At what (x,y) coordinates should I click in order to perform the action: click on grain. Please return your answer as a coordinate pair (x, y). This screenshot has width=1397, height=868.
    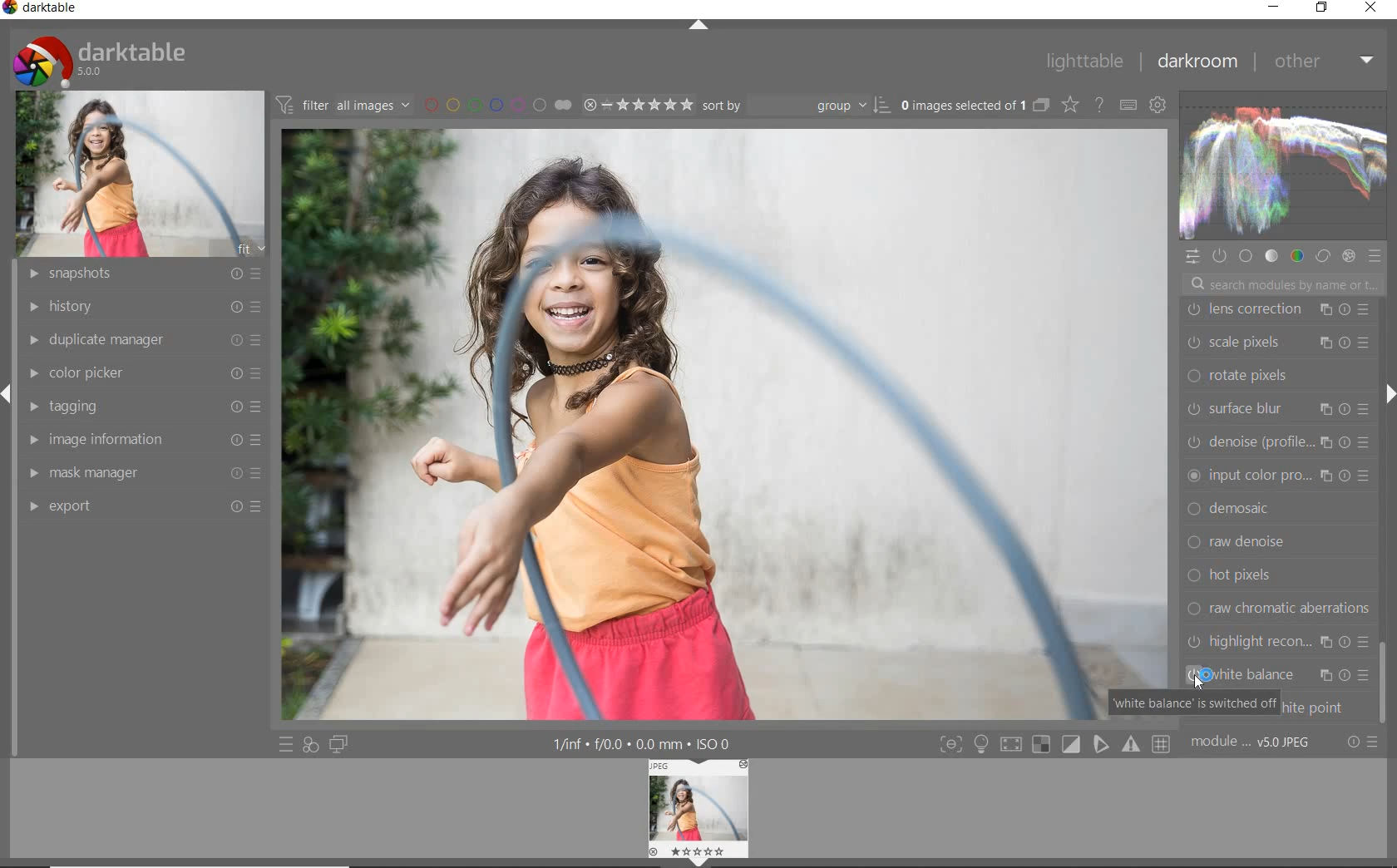
    Looking at the image, I should click on (1283, 580).